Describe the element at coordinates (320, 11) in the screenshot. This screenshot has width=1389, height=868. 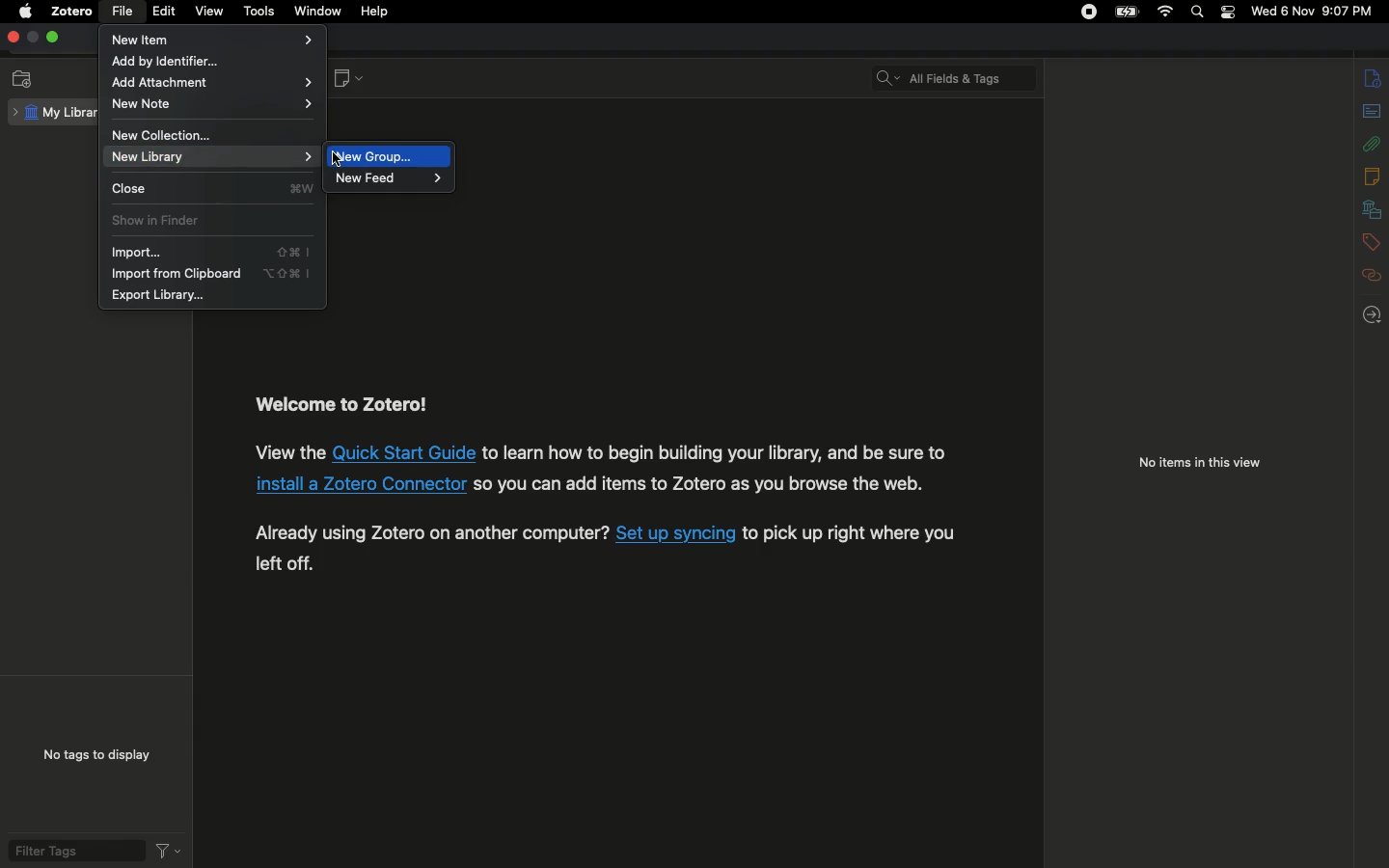
I see `Window` at that location.